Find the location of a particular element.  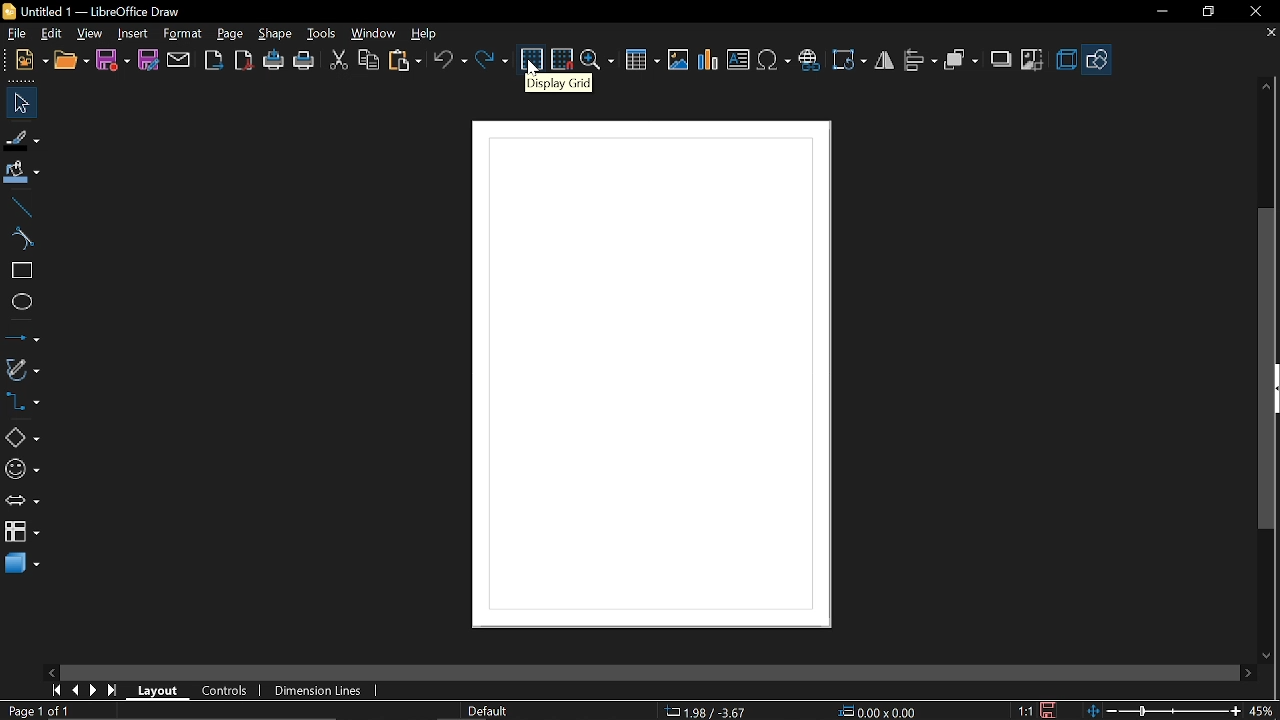

previous page is located at coordinates (77, 691).